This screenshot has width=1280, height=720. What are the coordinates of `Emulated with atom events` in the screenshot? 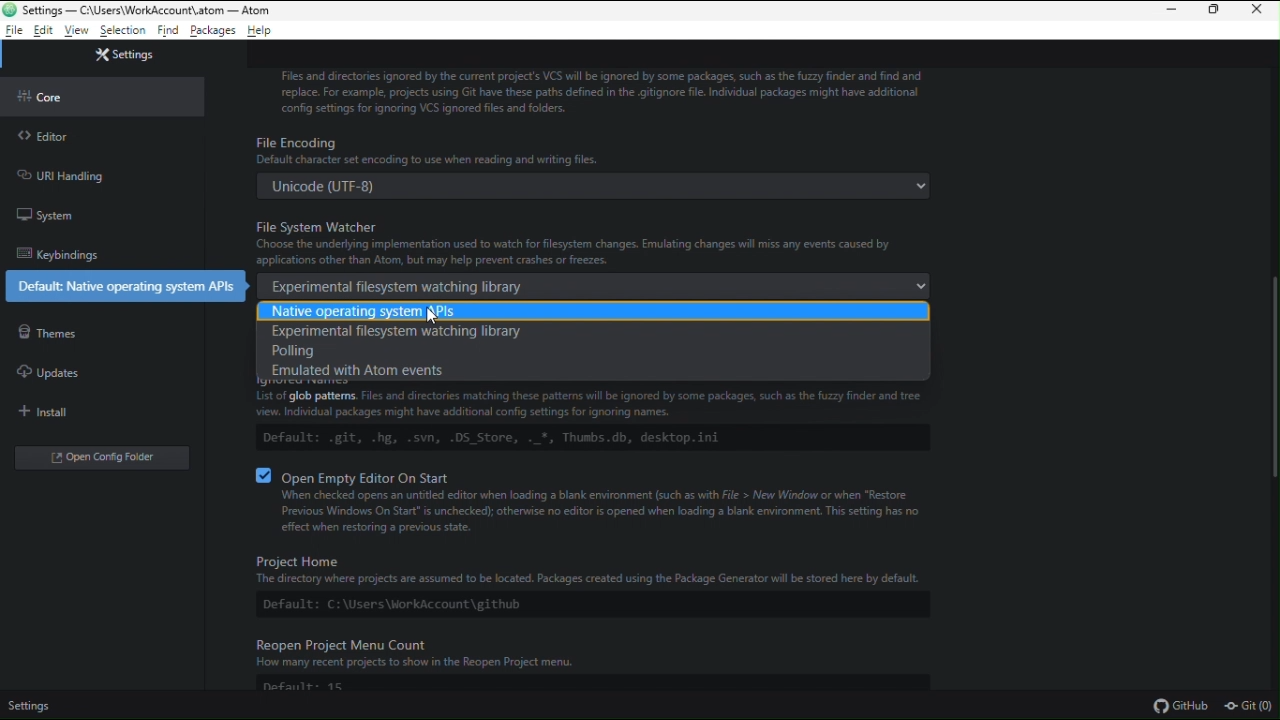 It's located at (364, 369).